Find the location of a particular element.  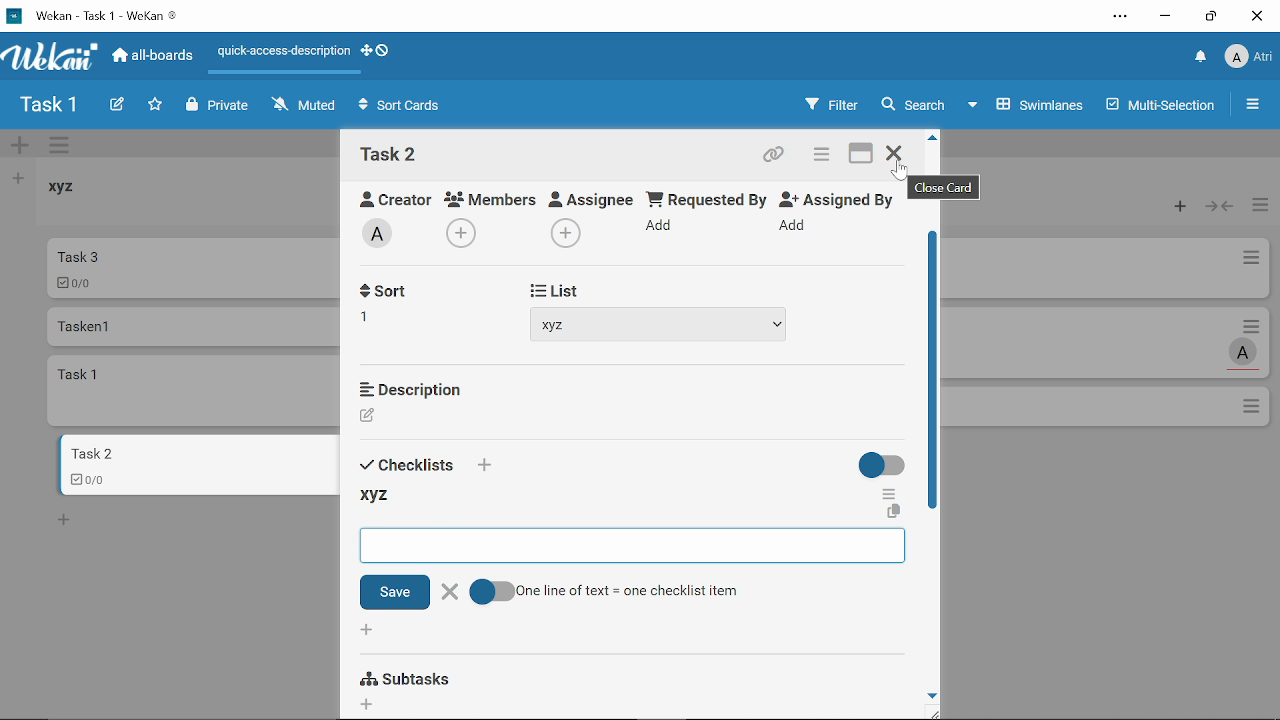

Settings and other options is located at coordinates (1122, 18).